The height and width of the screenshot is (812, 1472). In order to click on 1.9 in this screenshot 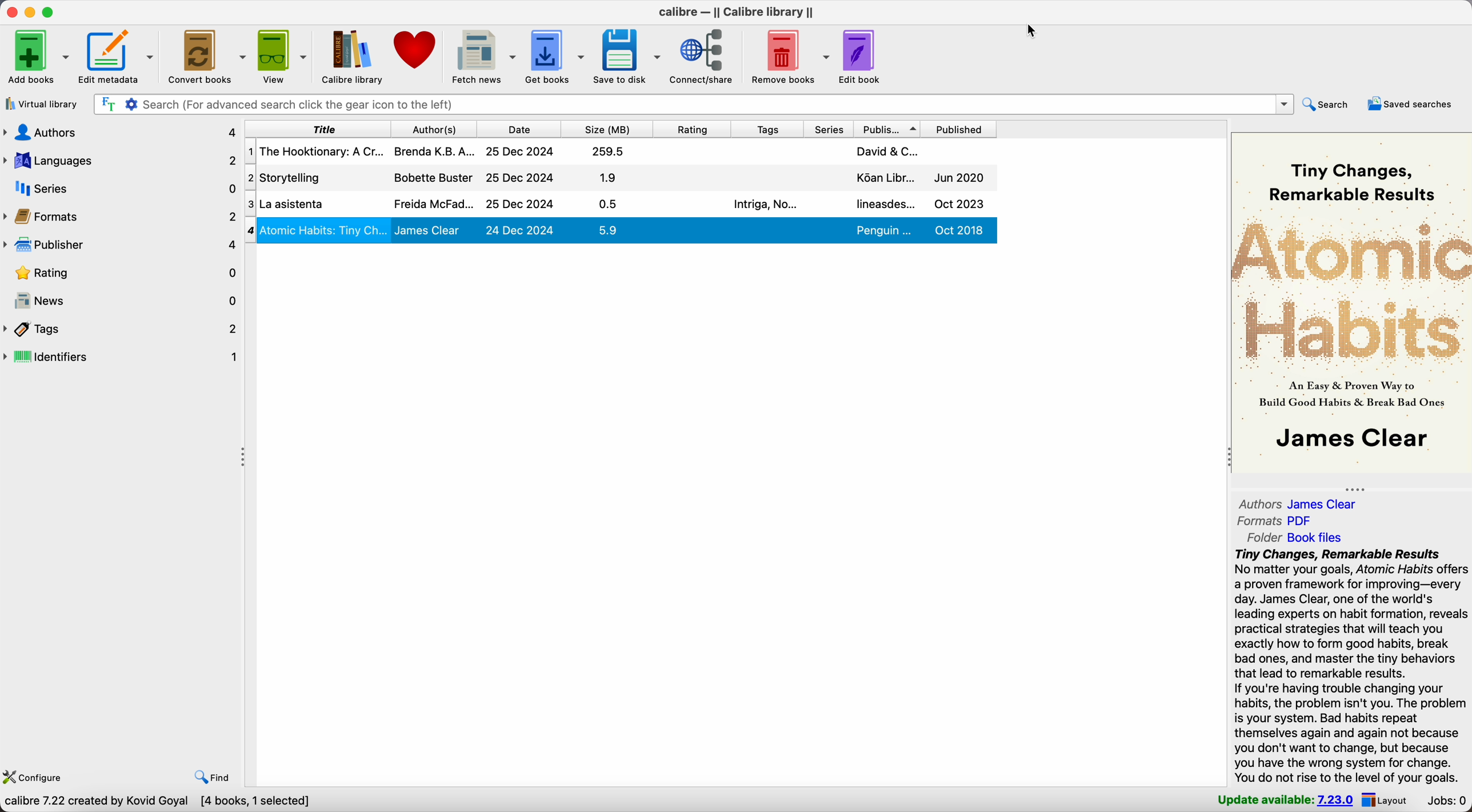, I will do `click(609, 178)`.